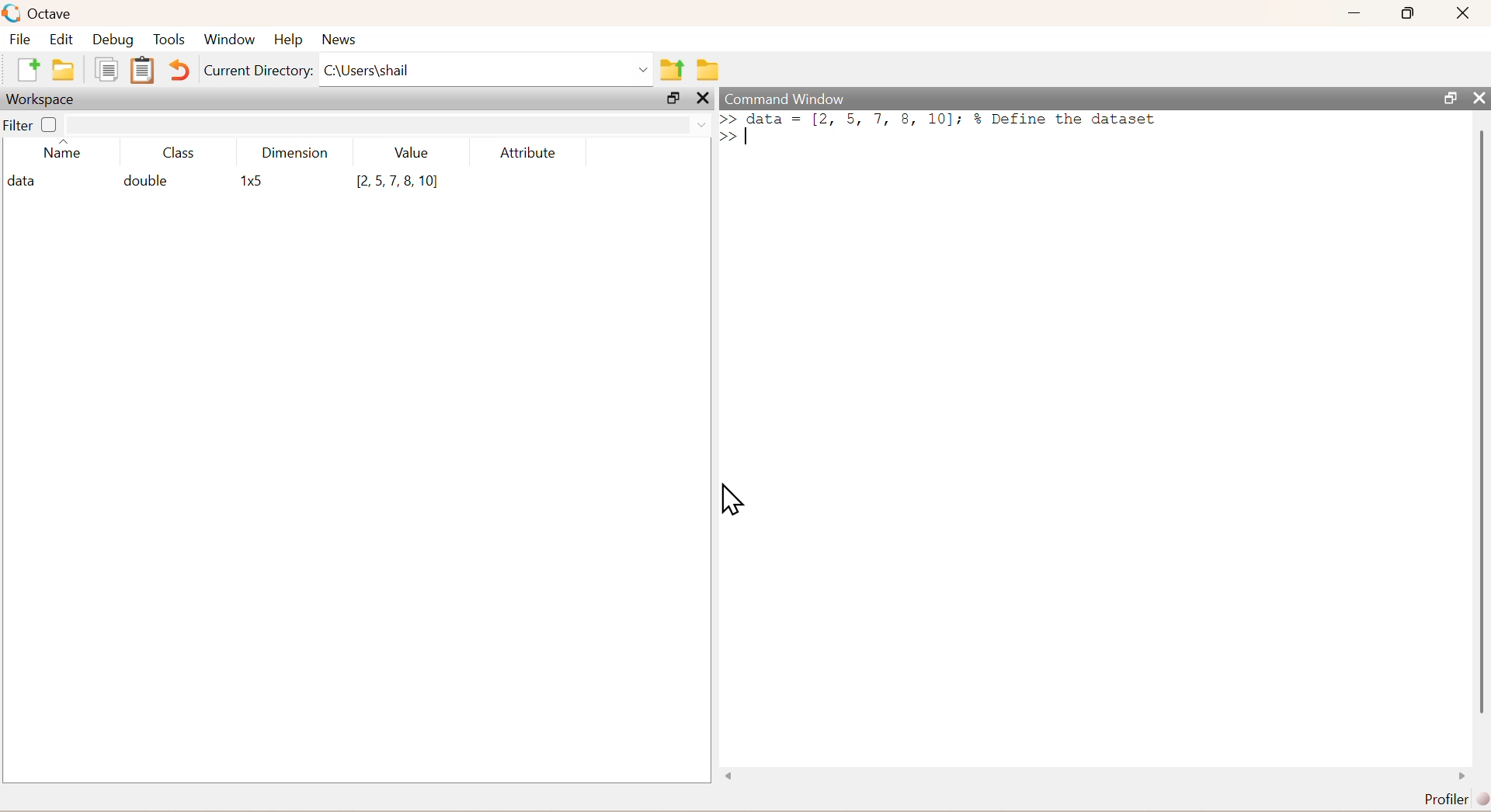 This screenshot has height=812, width=1491. What do you see at coordinates (730, 776) in the screenshot?
I see `scroll left` at bounding box center [730, 776].